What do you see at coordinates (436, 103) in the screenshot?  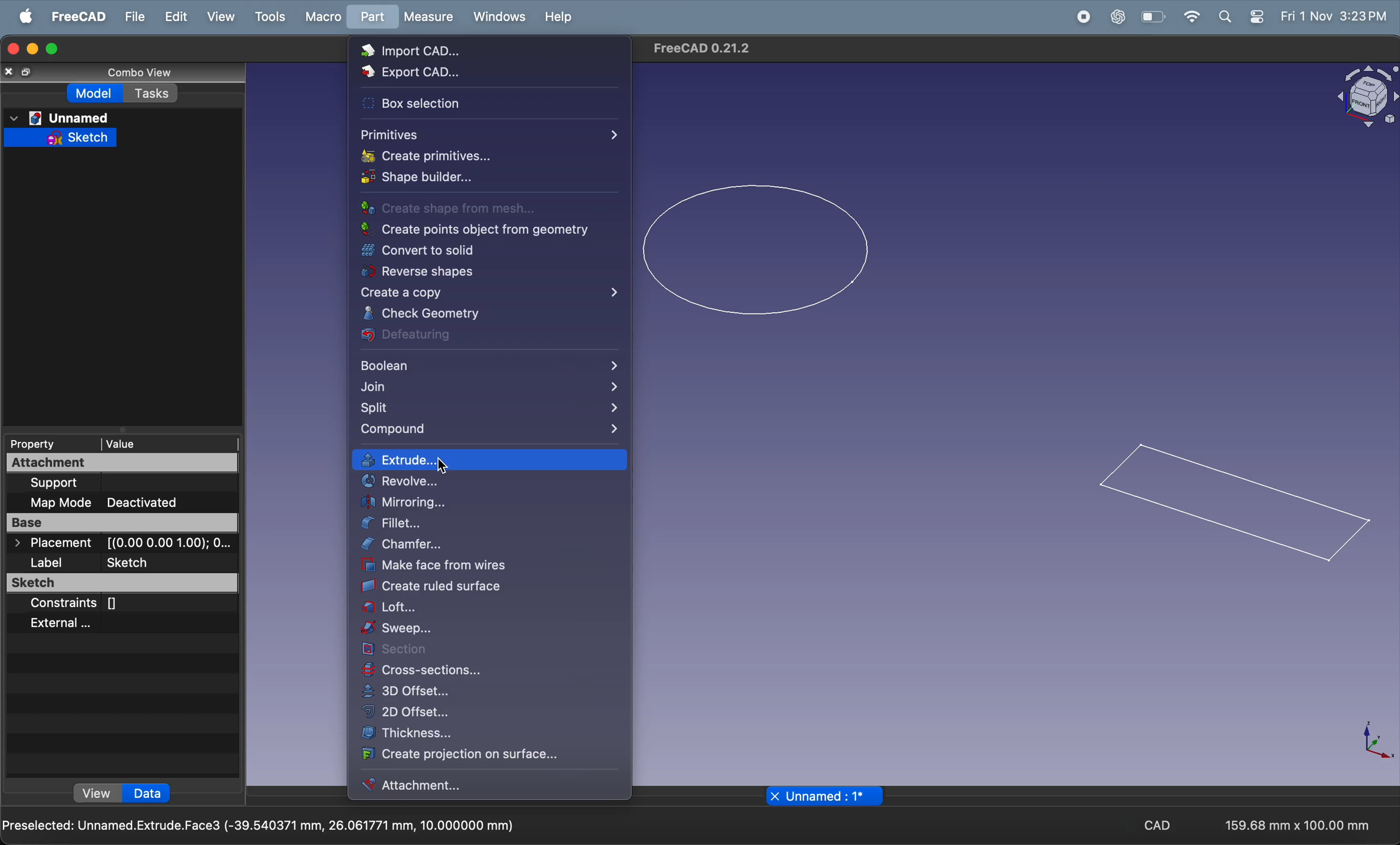 I see `Box section` at bounding box center [436, 103].